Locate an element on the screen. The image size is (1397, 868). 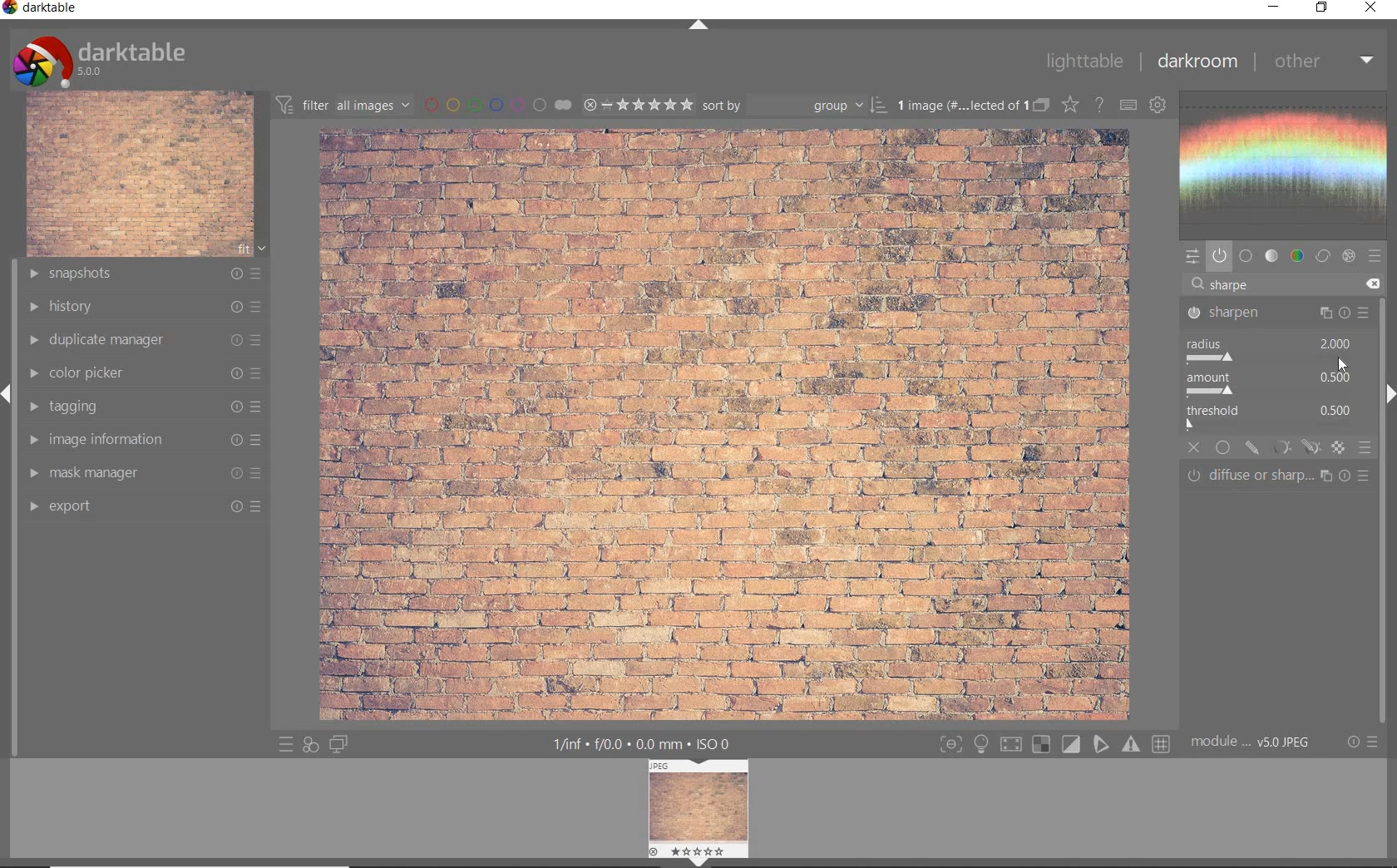
CURSOR is located at coordinates (1342, 363).